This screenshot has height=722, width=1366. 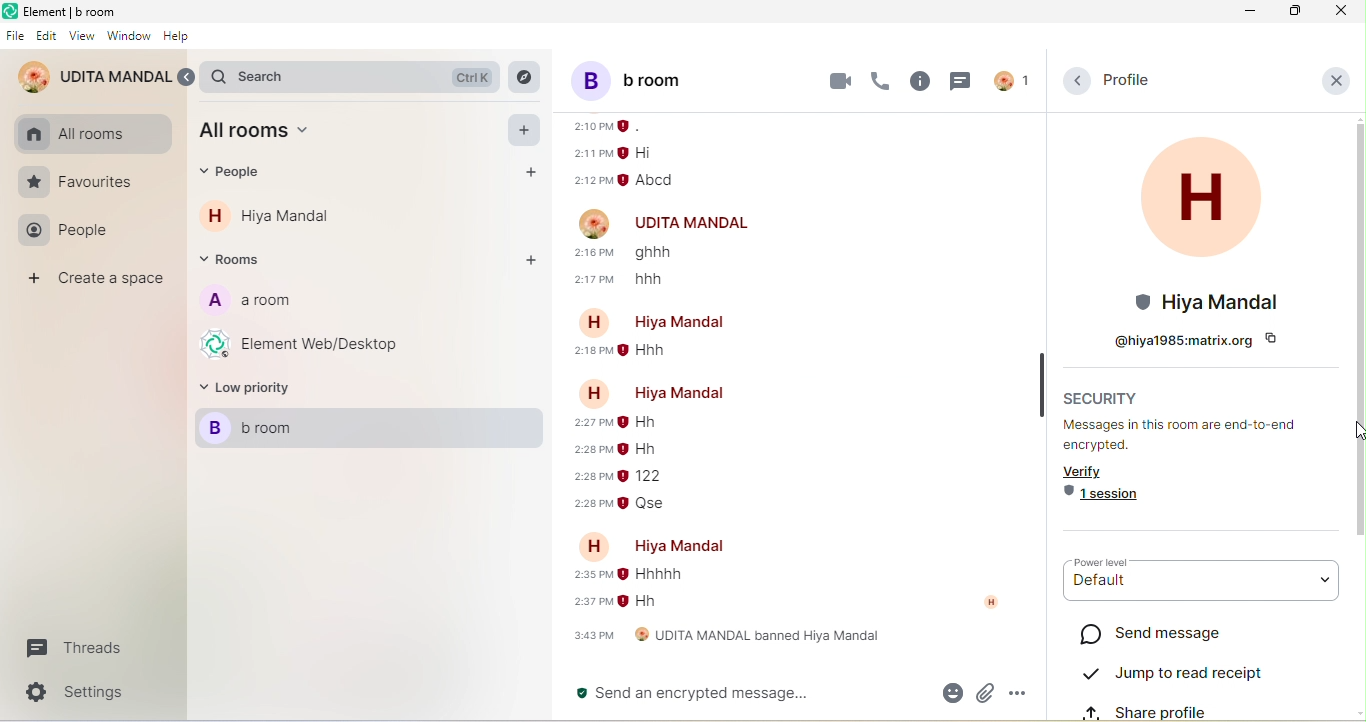 What do you see at coordinates (591, 576) in the screenshot?
I see `sending message time` at bounding box center [591, 576].